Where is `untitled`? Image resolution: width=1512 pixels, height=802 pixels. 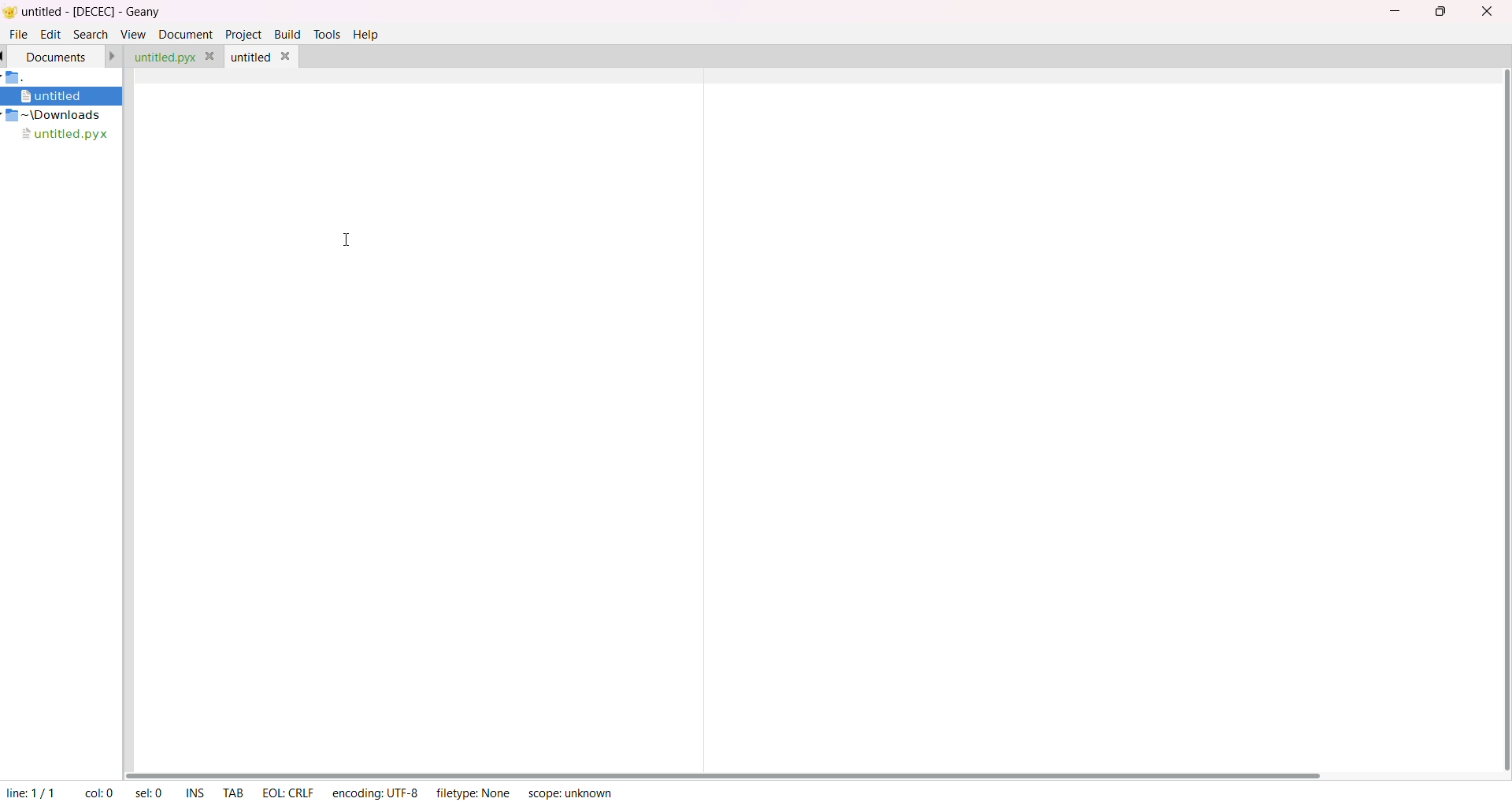 untitled is located at coordinates (57, 97).